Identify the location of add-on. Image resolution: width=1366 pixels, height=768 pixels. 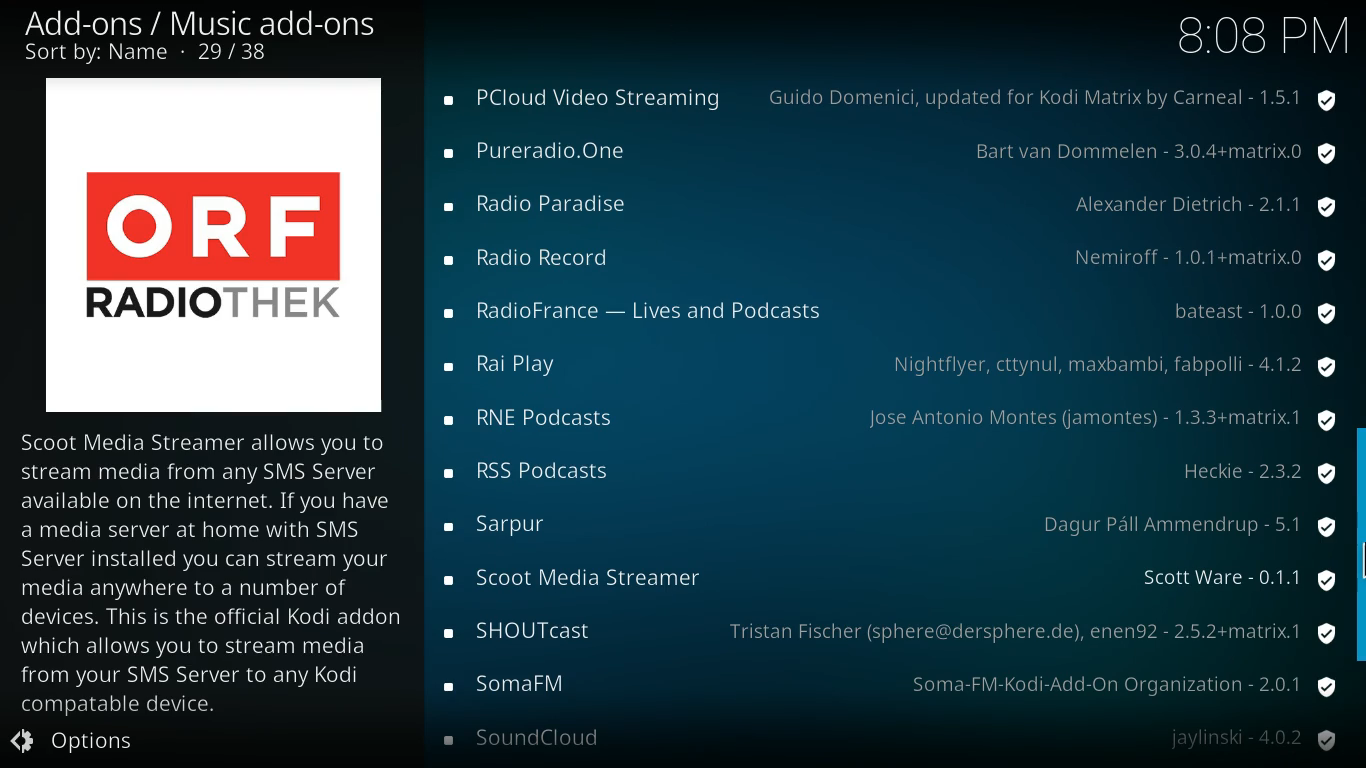
(517, 632).